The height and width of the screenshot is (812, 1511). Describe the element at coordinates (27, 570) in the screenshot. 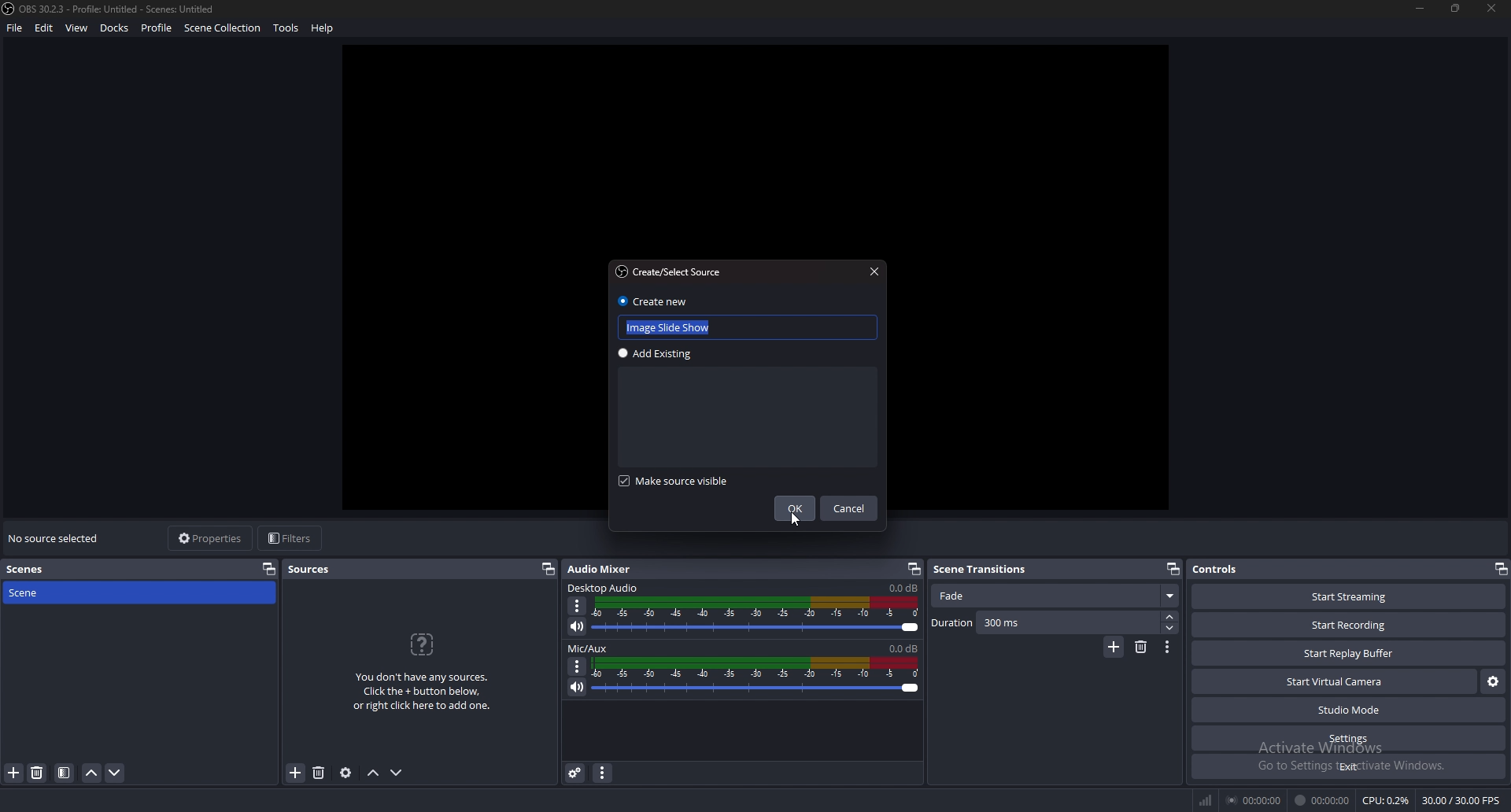

I see `scenes` at that location.